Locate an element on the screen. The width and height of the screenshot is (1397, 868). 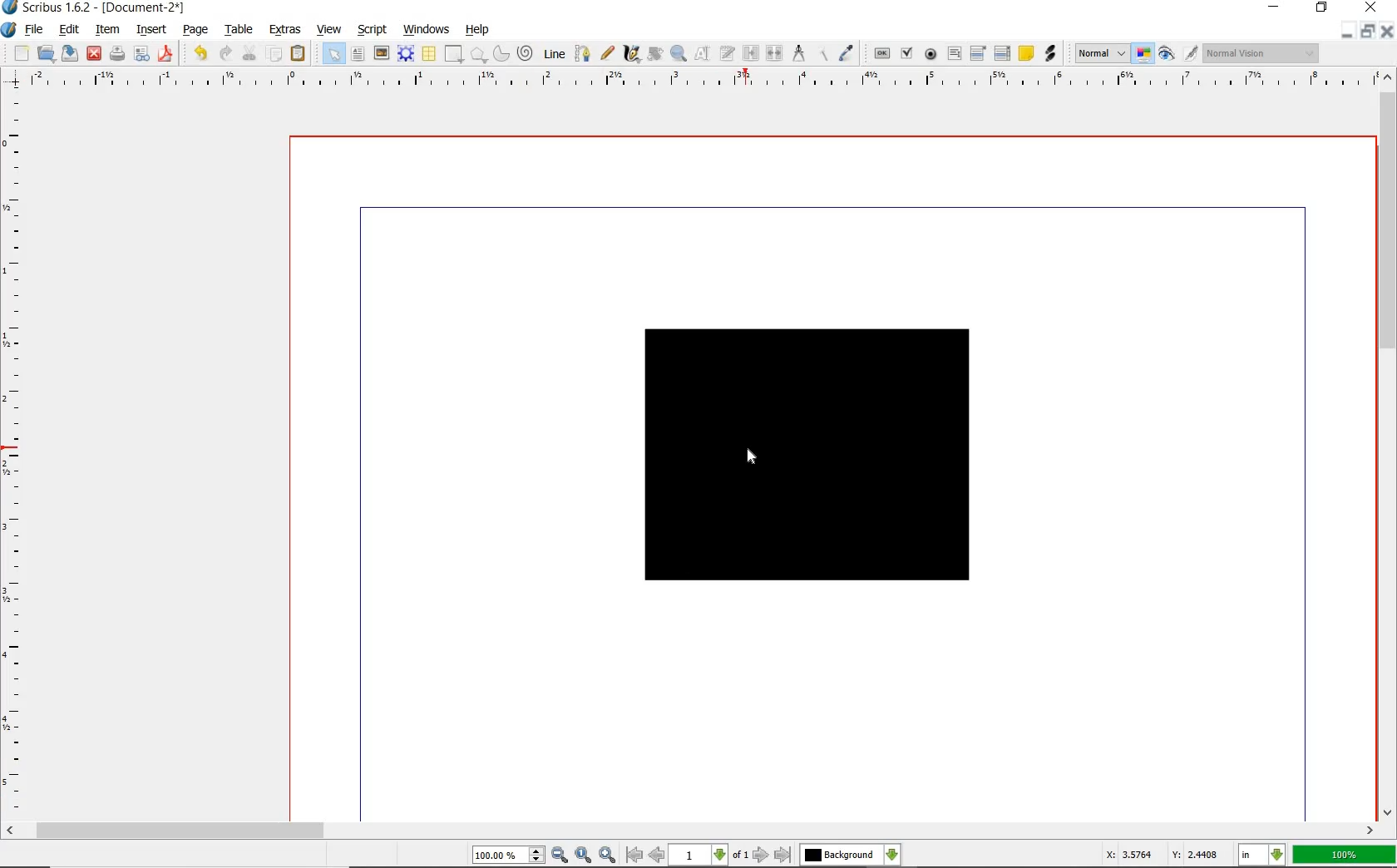
zoom in or out is located at coordinates (679, 53).